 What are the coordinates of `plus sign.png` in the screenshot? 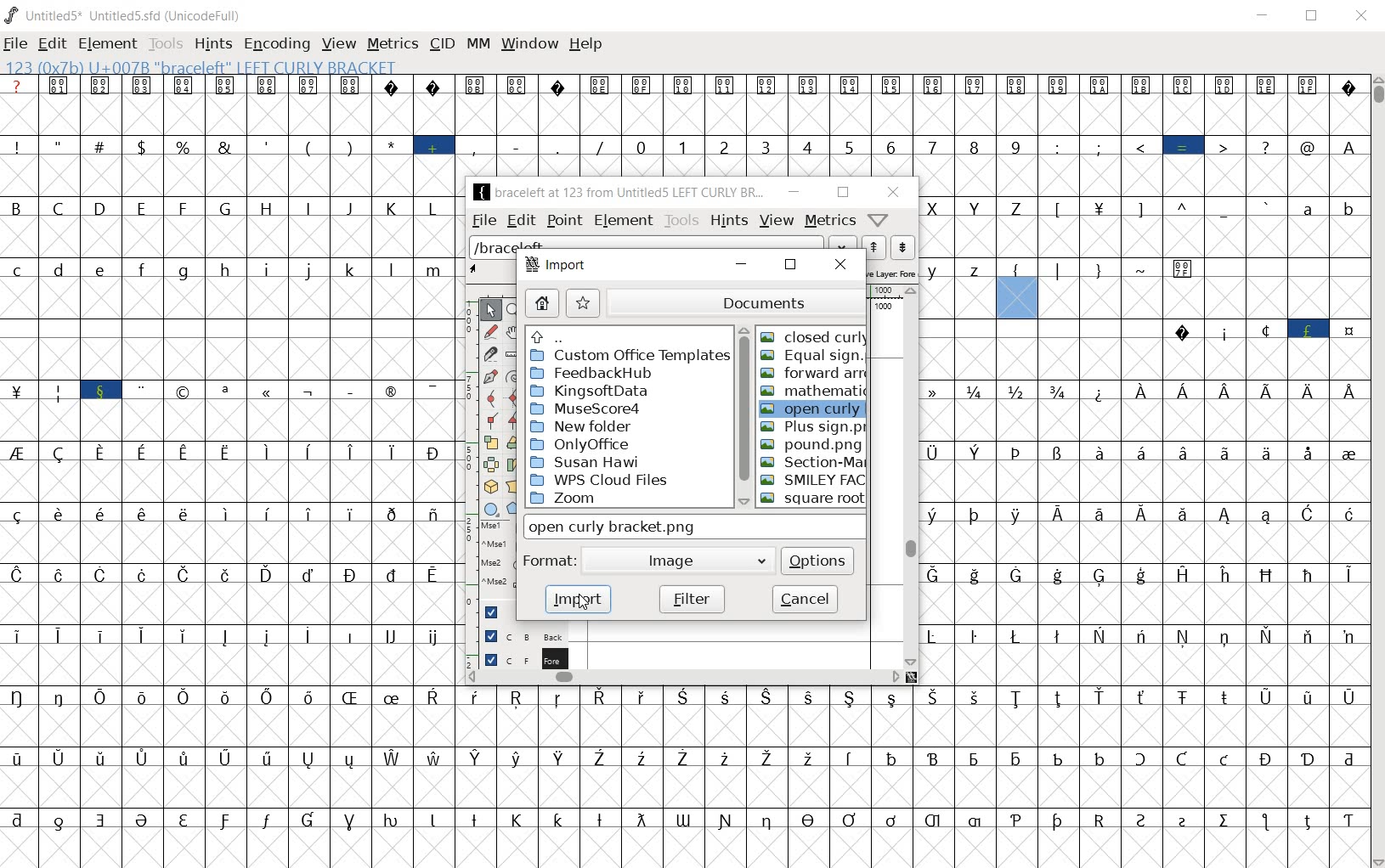 It's located at (814, 426).